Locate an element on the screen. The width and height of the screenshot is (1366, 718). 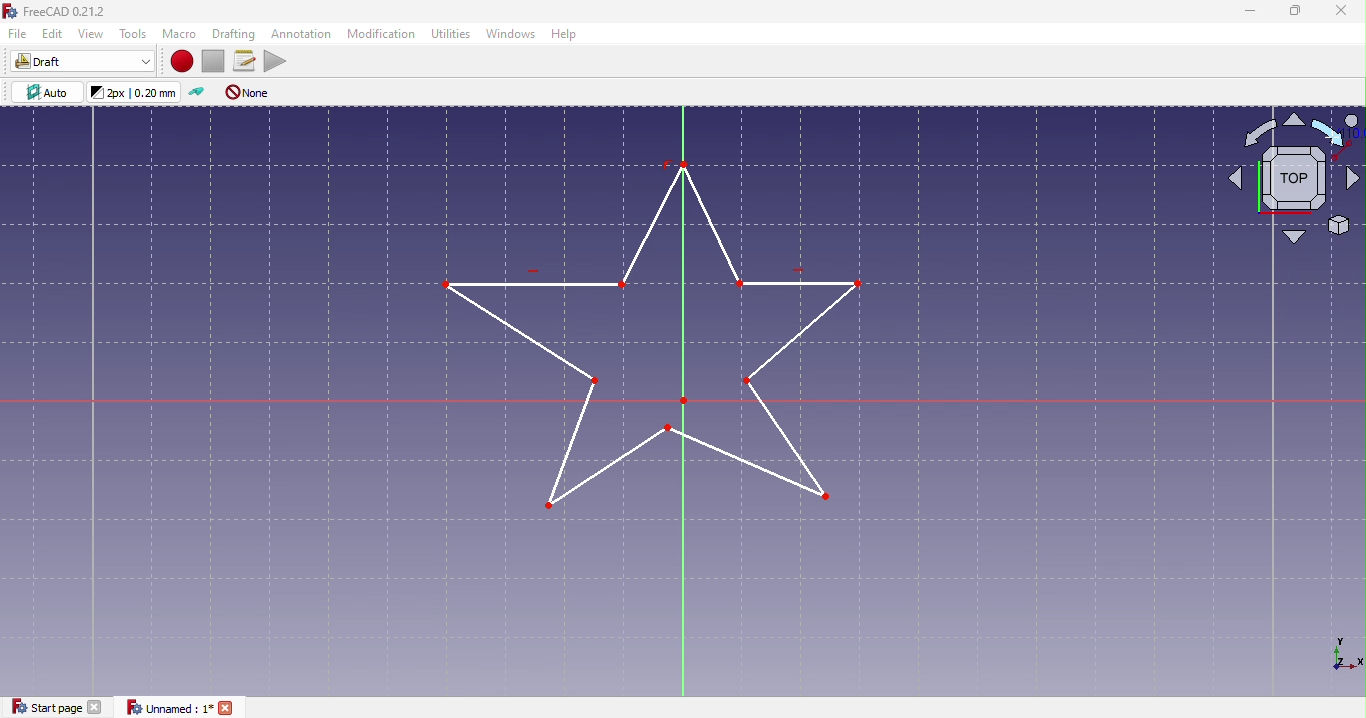
Dimensions is located at coordinates (1343, 655).